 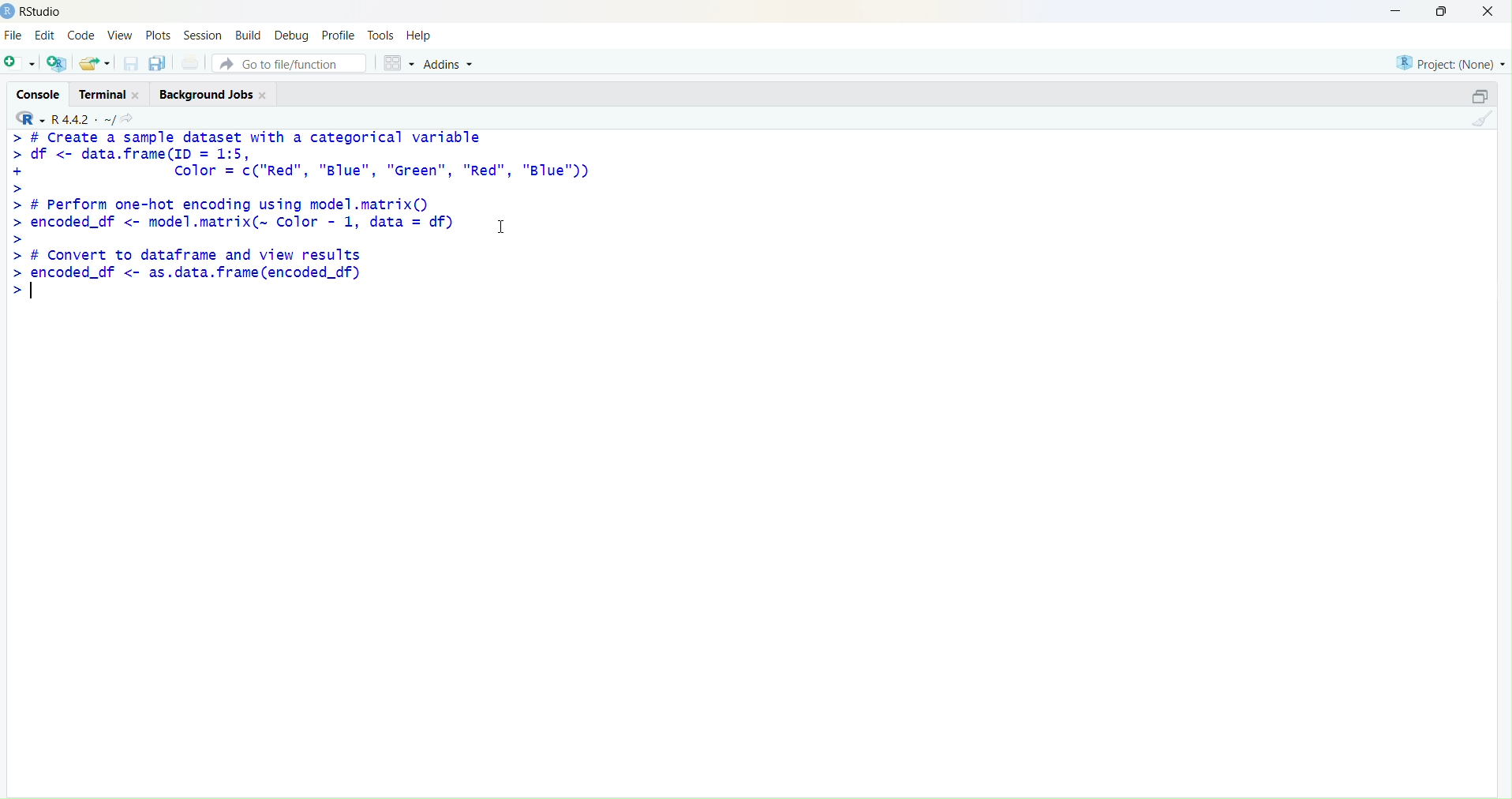 What do you see at coordinates (31, 118) in the screenshot?
I see `R` at bounding box center [31, 118].